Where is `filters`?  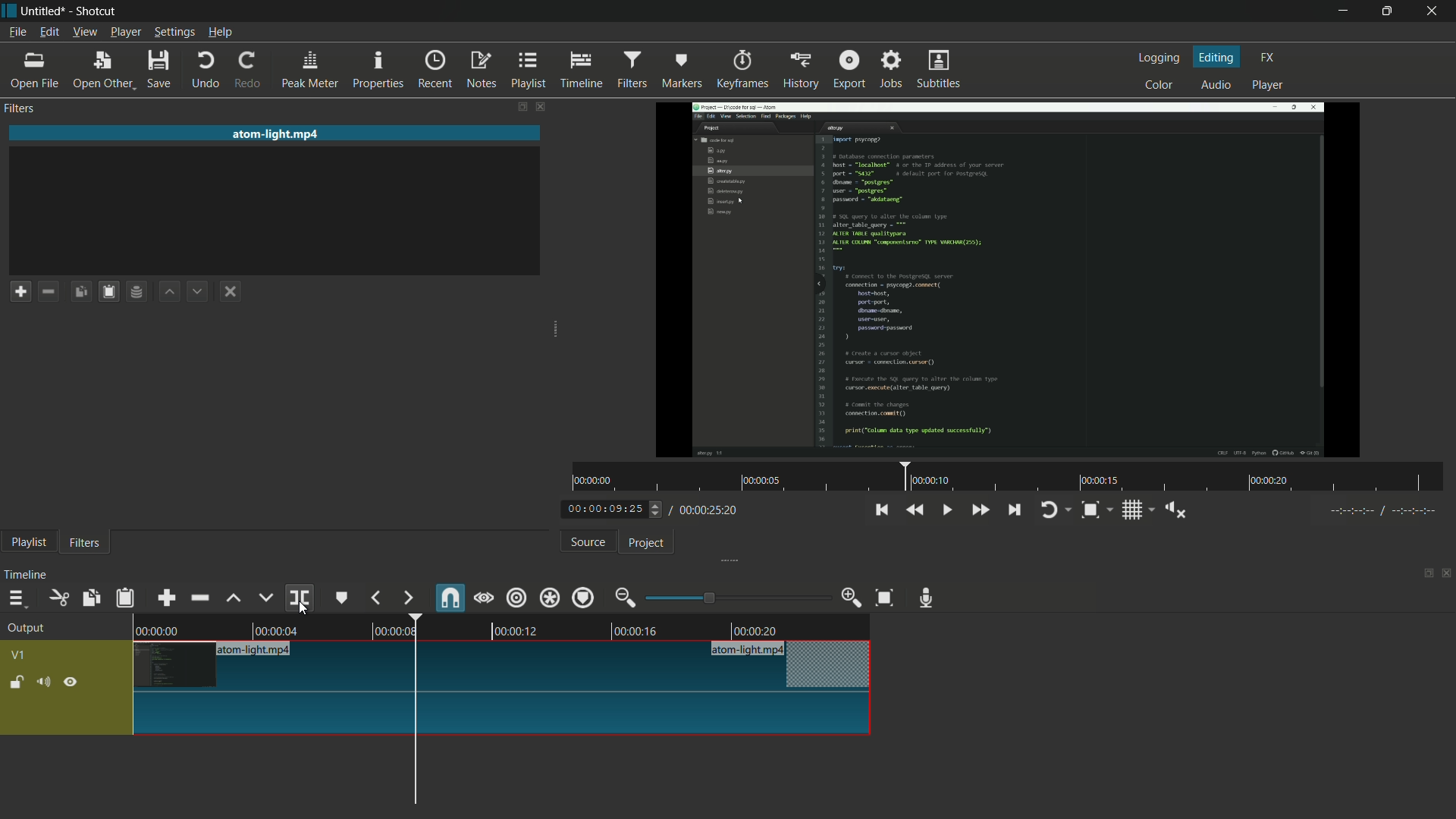 filters is located at coordinates (22, 109).